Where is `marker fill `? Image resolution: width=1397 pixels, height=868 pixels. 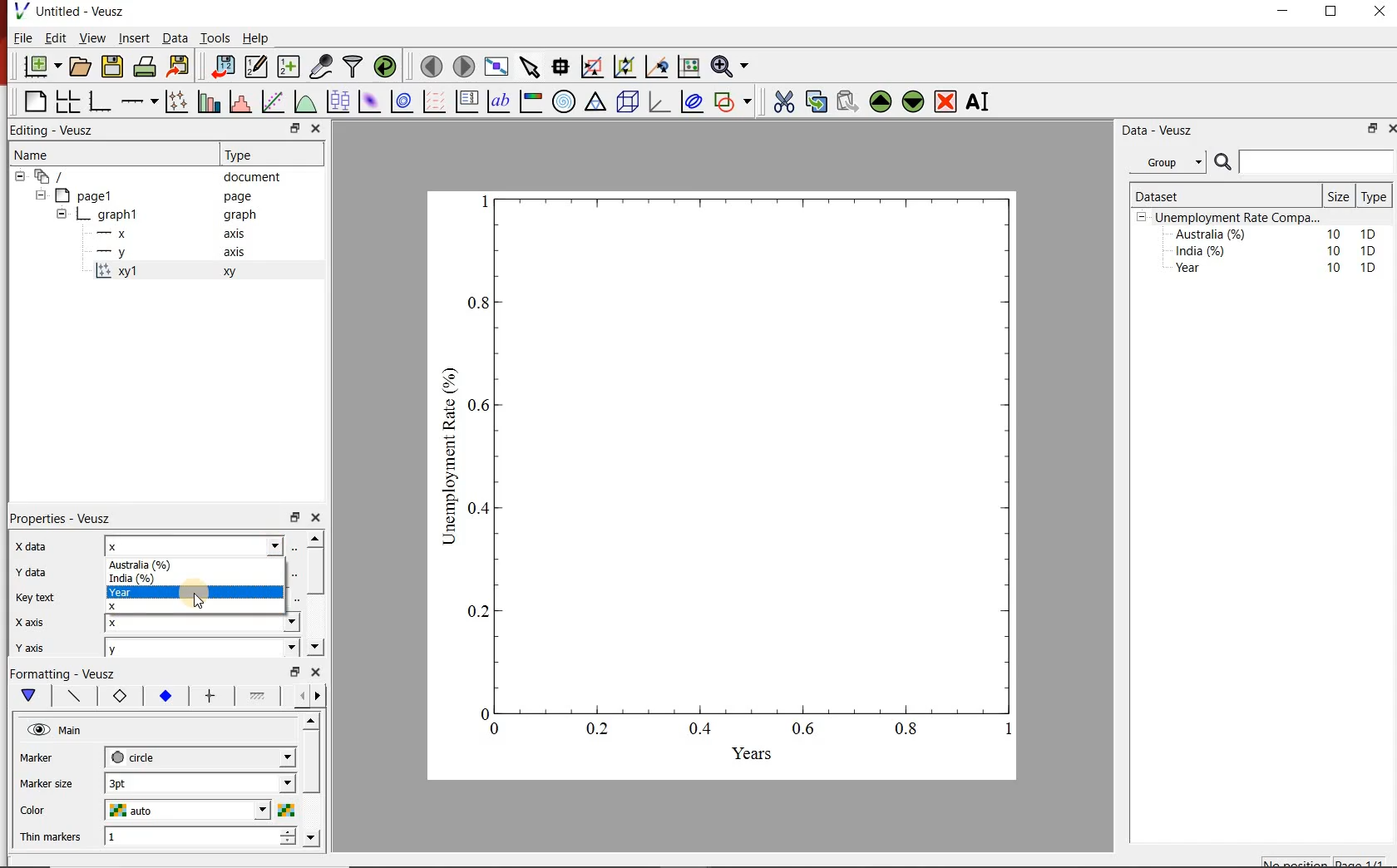
marker fill  is located at coordinates (166, 697).